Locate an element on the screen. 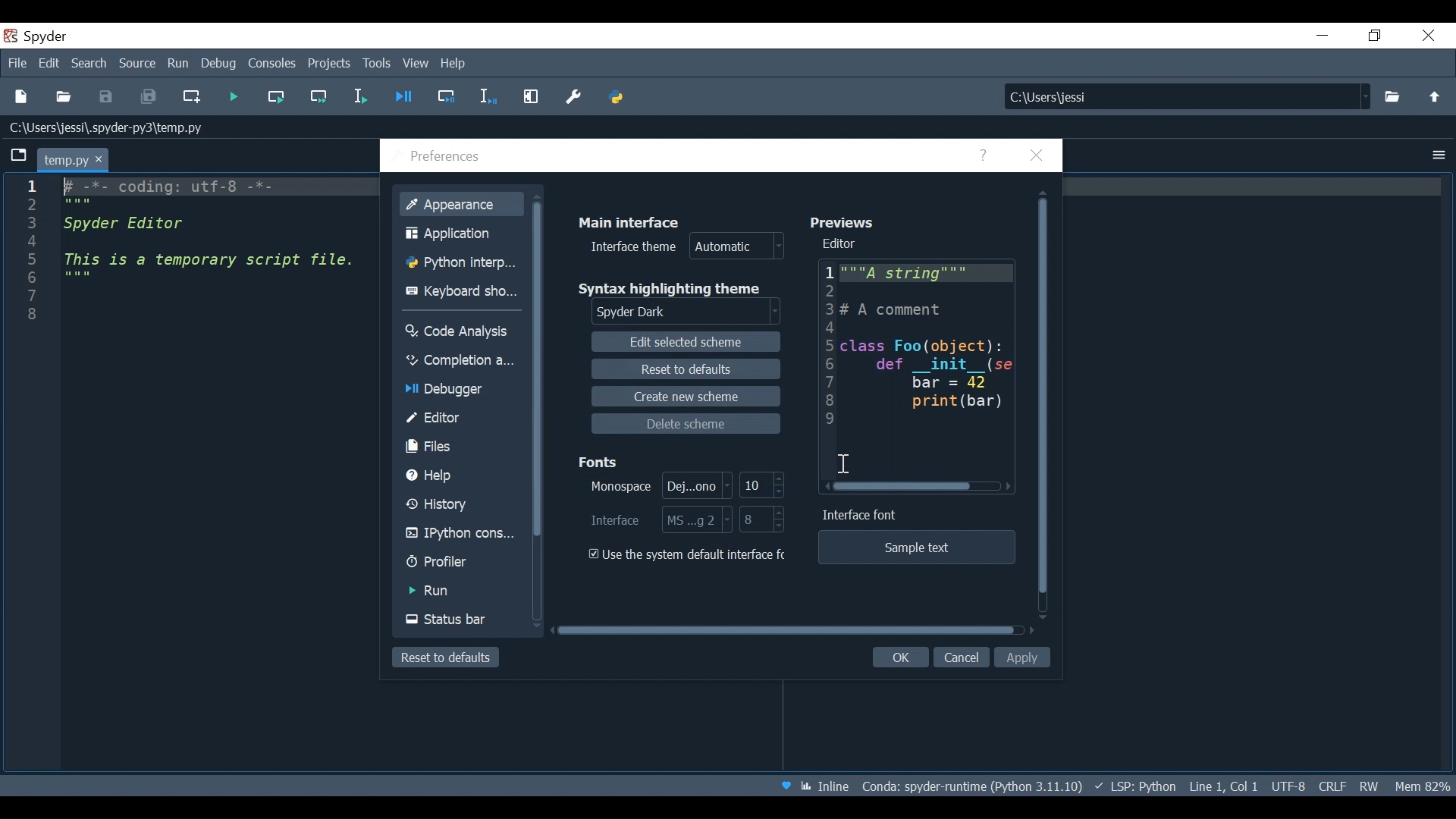 The width and height of the screenshot is (1456, 819). Cancel is located at coordinates (961, 655).